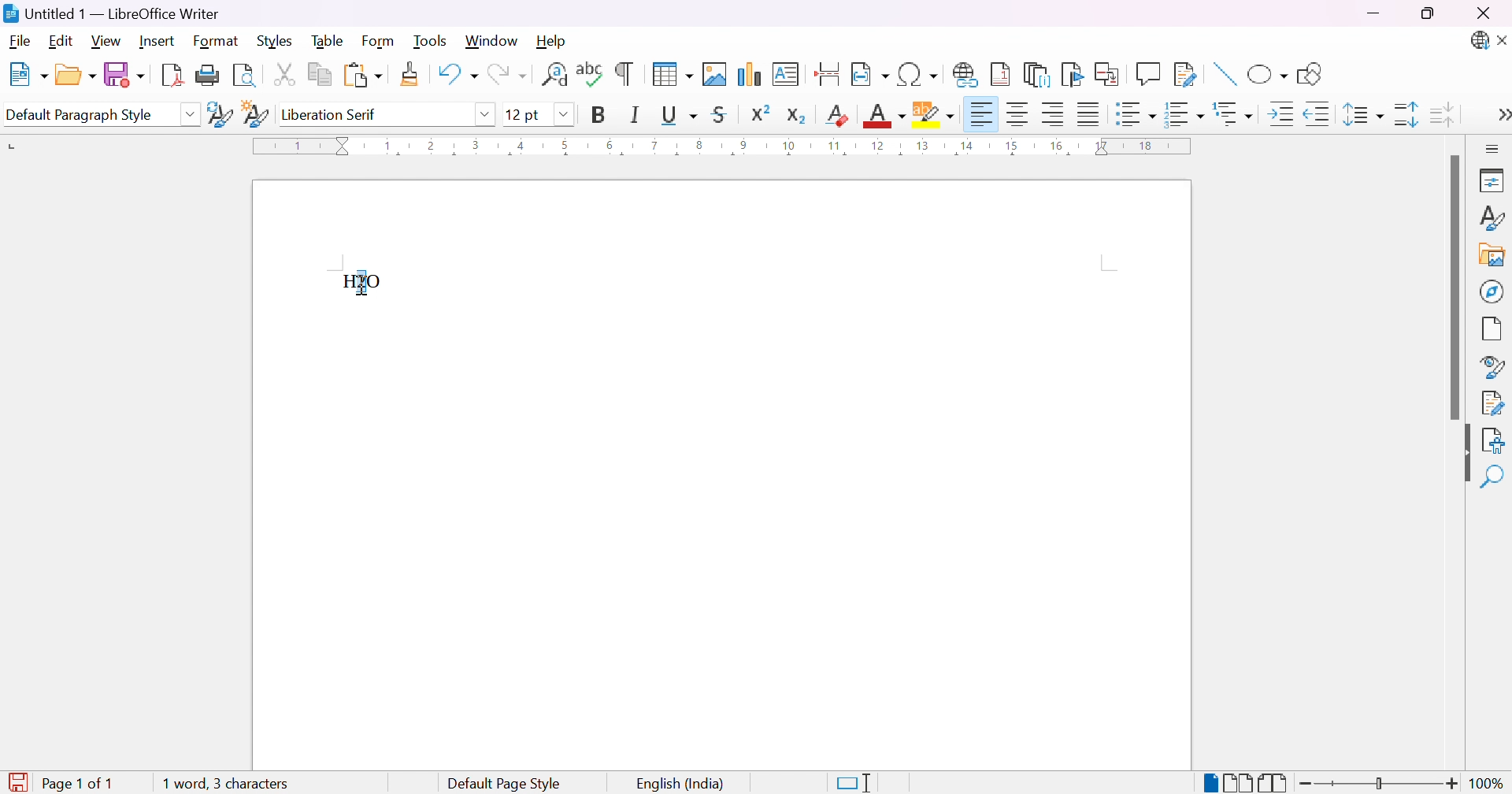 The width and height of the screenshot is (1512, 794). Describe the element at coordinates (1306, 784) in the screenshot. I see `Zoom out` at that location.